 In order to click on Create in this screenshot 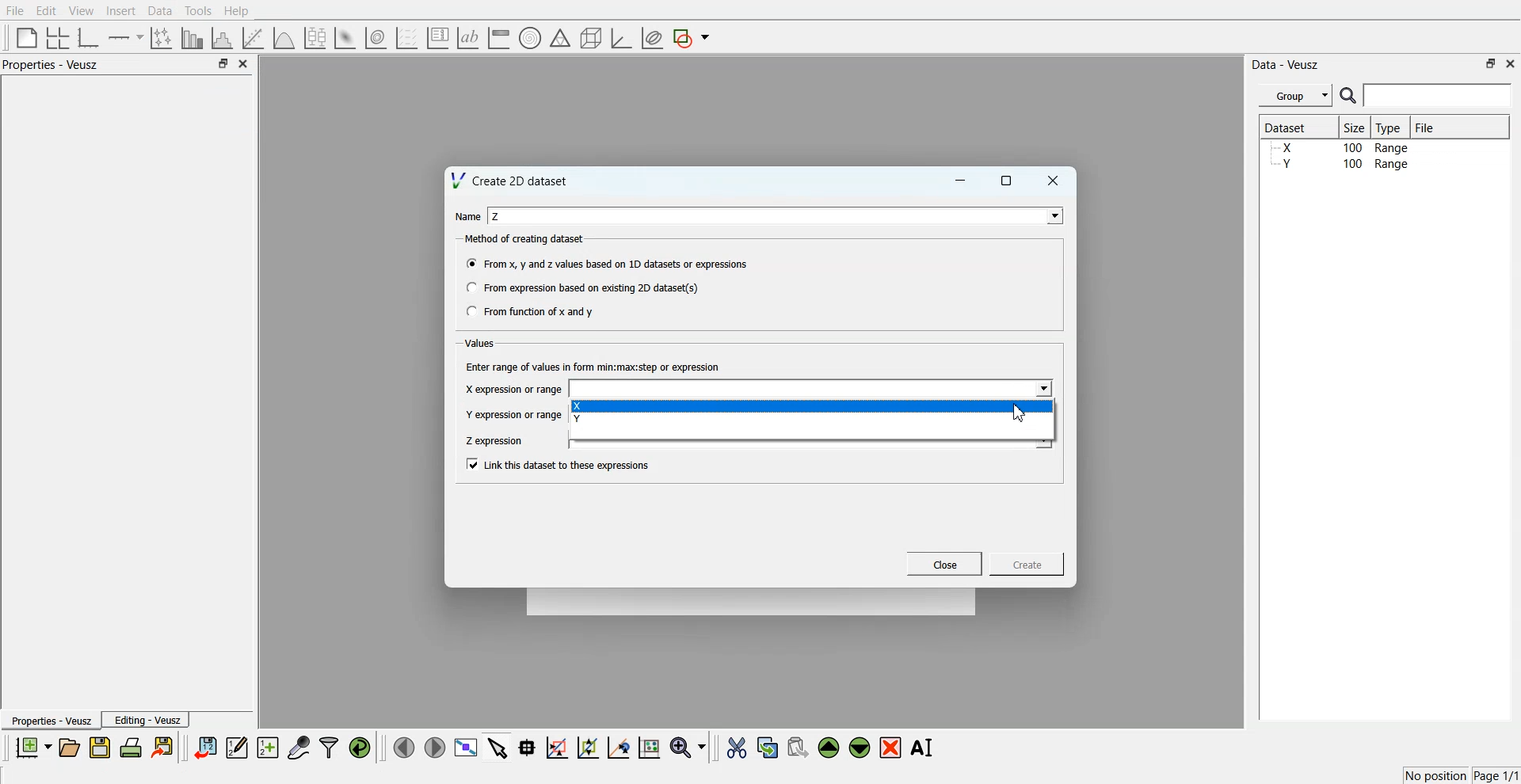, I will do `click(1027, 563)`.